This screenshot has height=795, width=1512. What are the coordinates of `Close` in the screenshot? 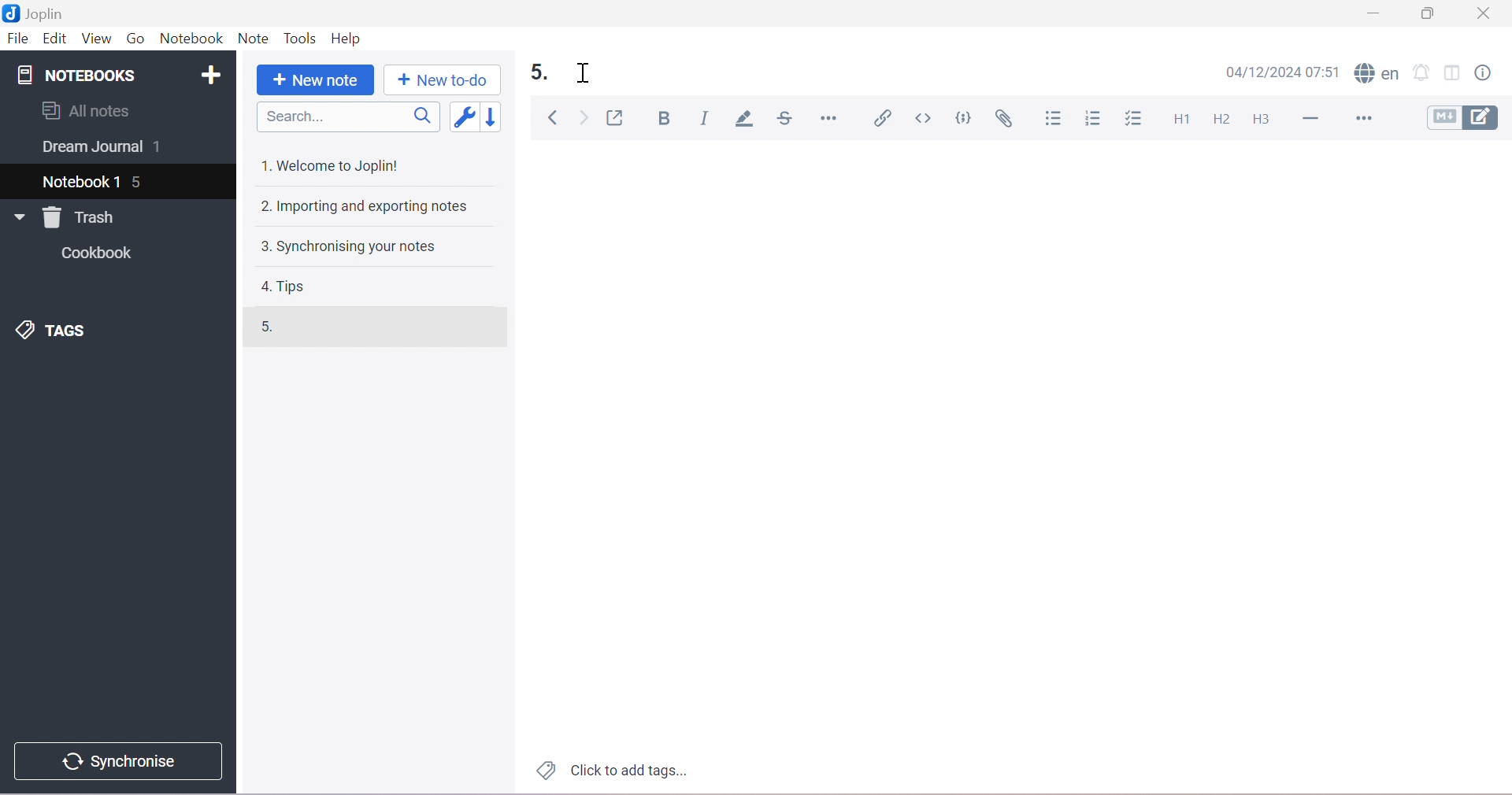 It's located at (1488, 13).